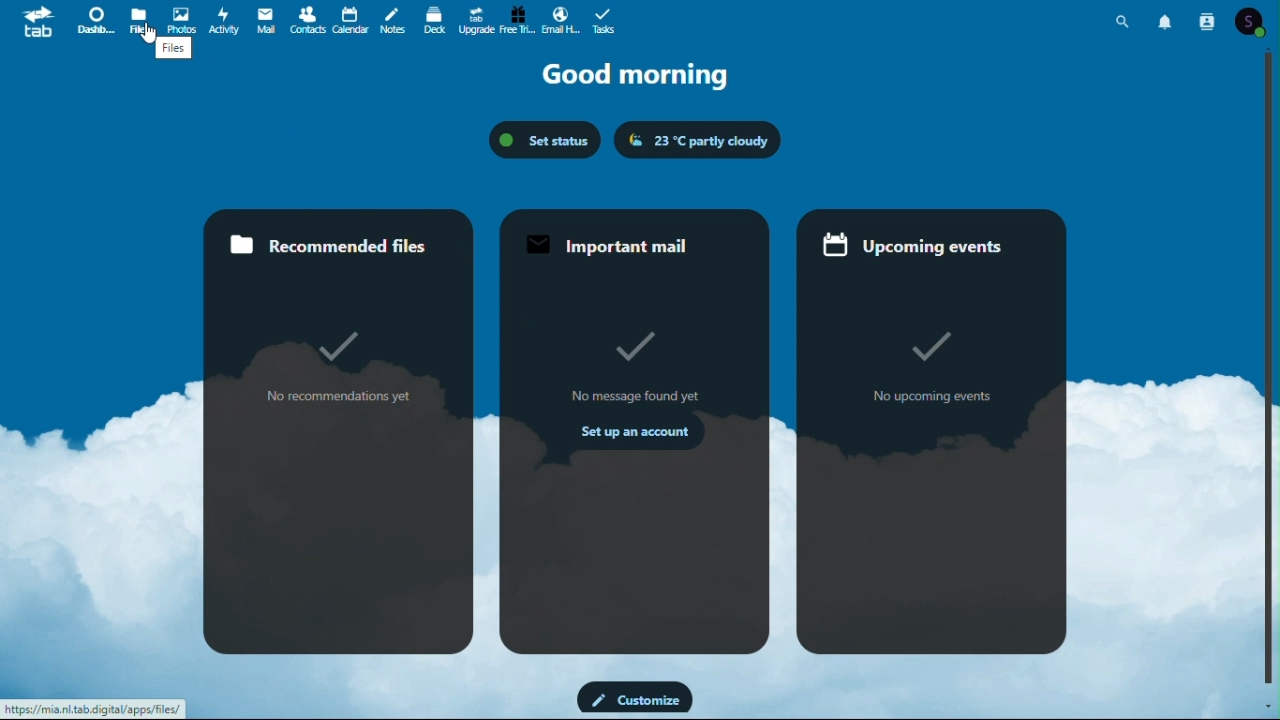 The image size is (1280, 720). Describe the element at coordinates (635, 697) in the screenshot. I see `Customize` at that location.